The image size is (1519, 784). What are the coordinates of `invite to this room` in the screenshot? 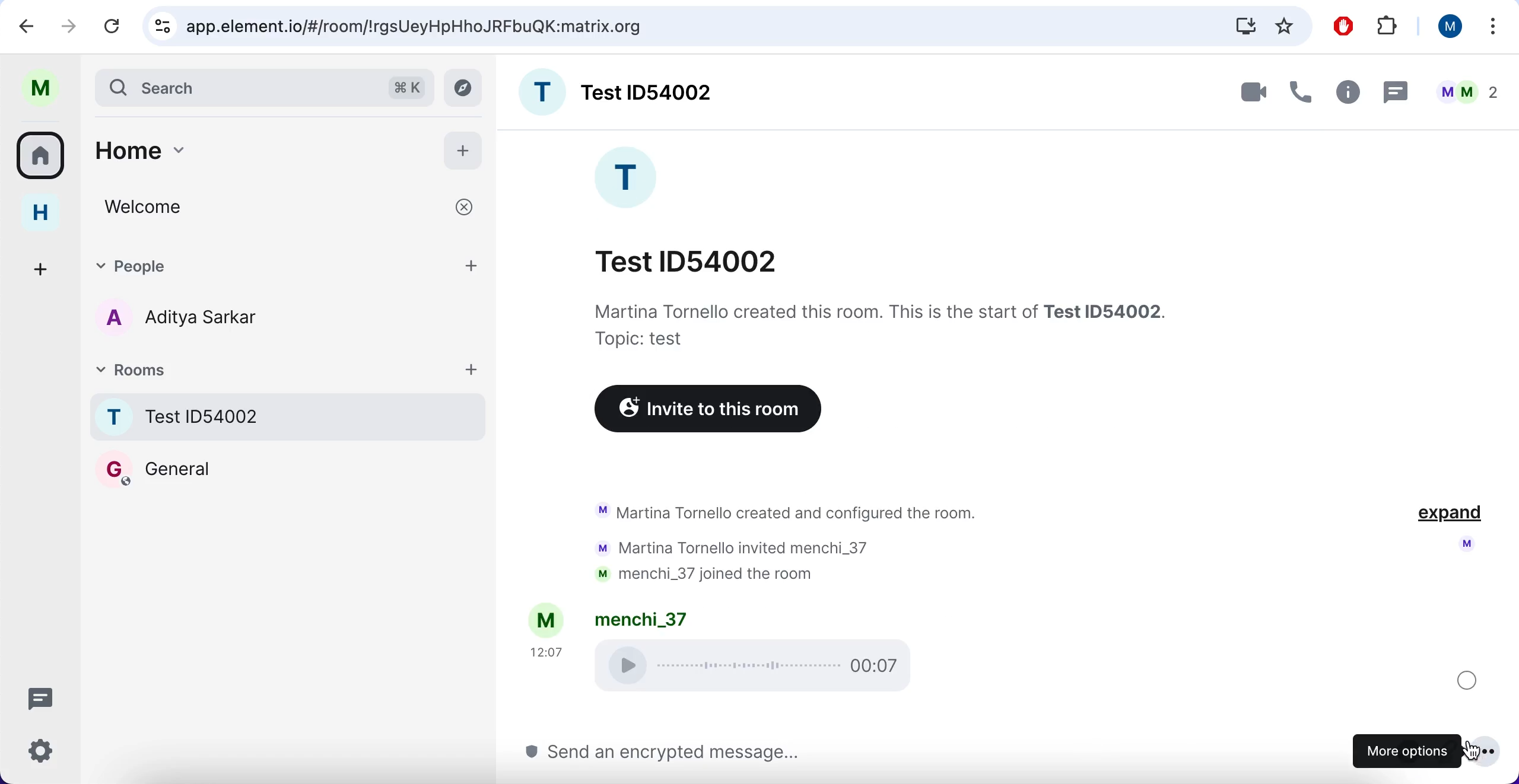 It's located at (709, 409).